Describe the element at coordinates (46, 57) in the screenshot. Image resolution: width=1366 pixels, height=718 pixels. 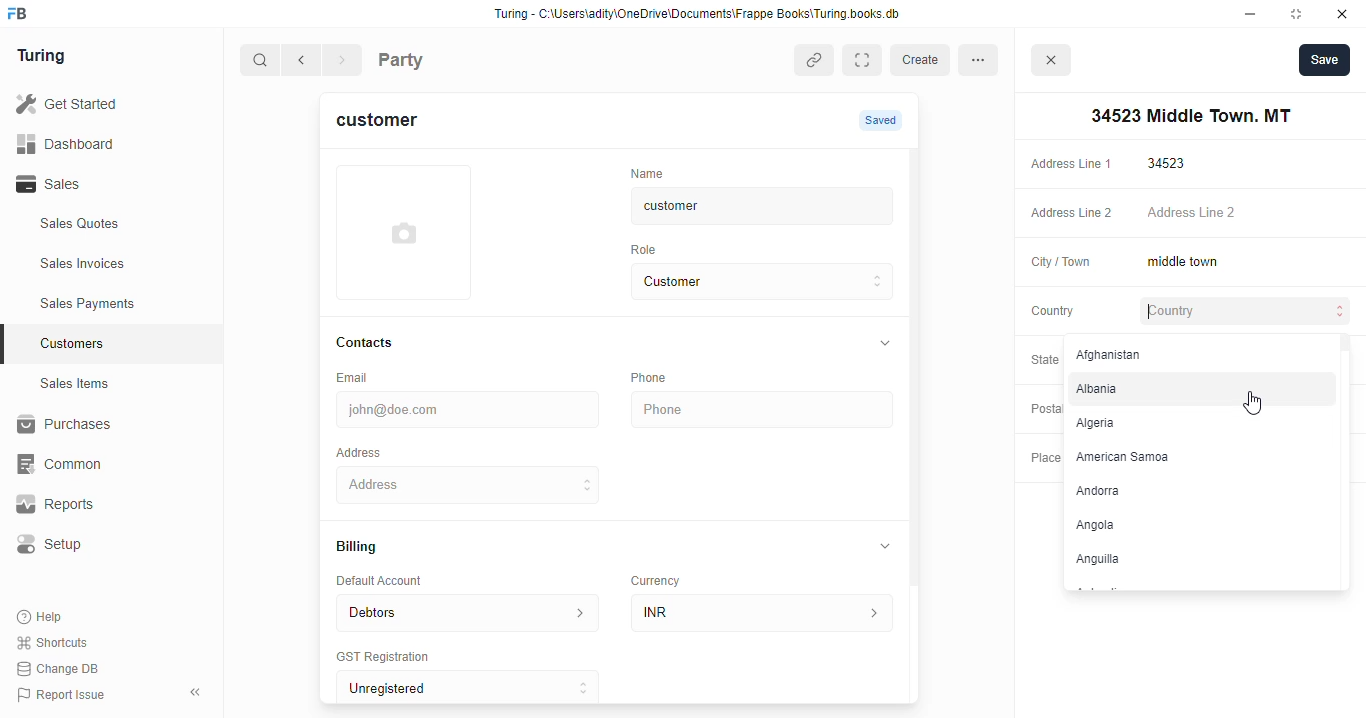
I see `Turing` at that location.